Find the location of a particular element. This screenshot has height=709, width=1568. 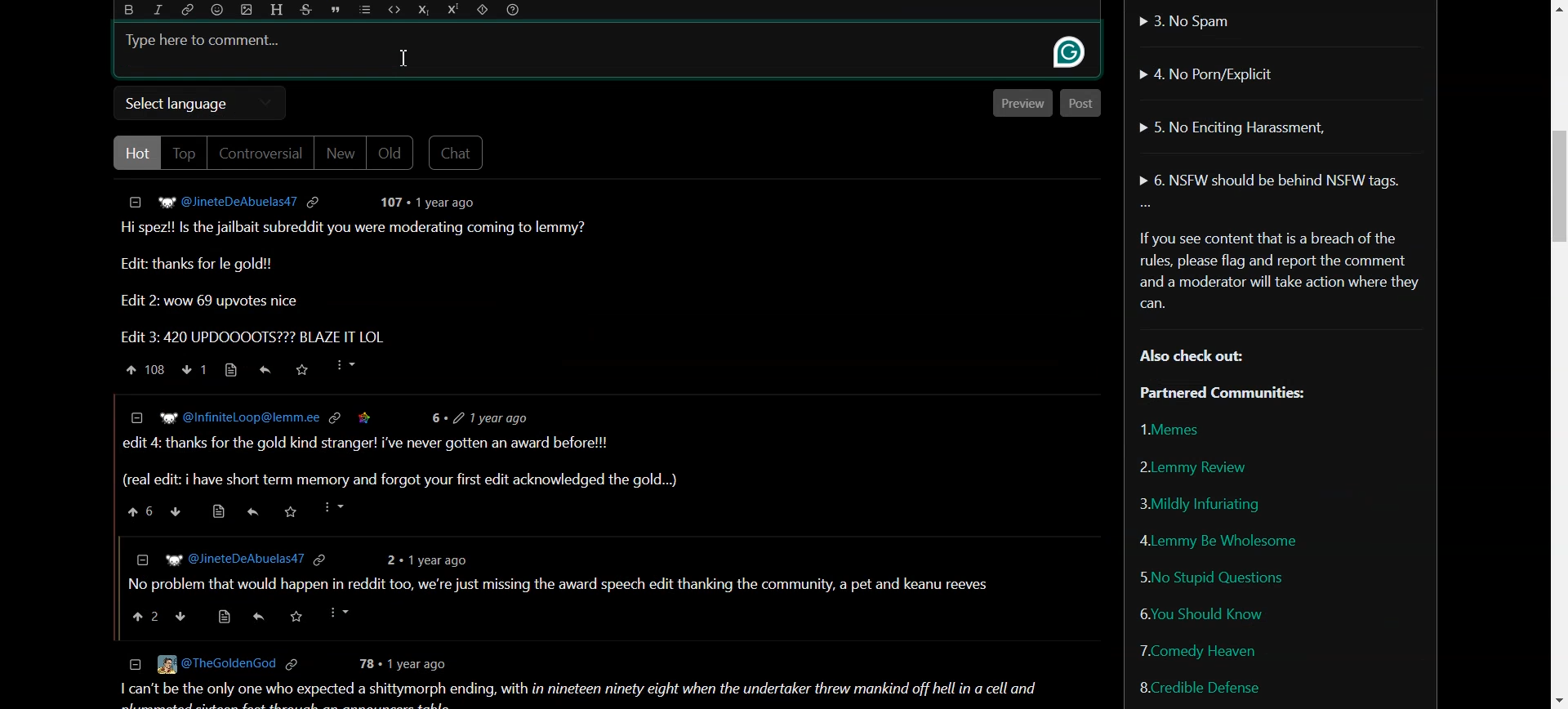

Emoji is located at coordinates (216, 10).